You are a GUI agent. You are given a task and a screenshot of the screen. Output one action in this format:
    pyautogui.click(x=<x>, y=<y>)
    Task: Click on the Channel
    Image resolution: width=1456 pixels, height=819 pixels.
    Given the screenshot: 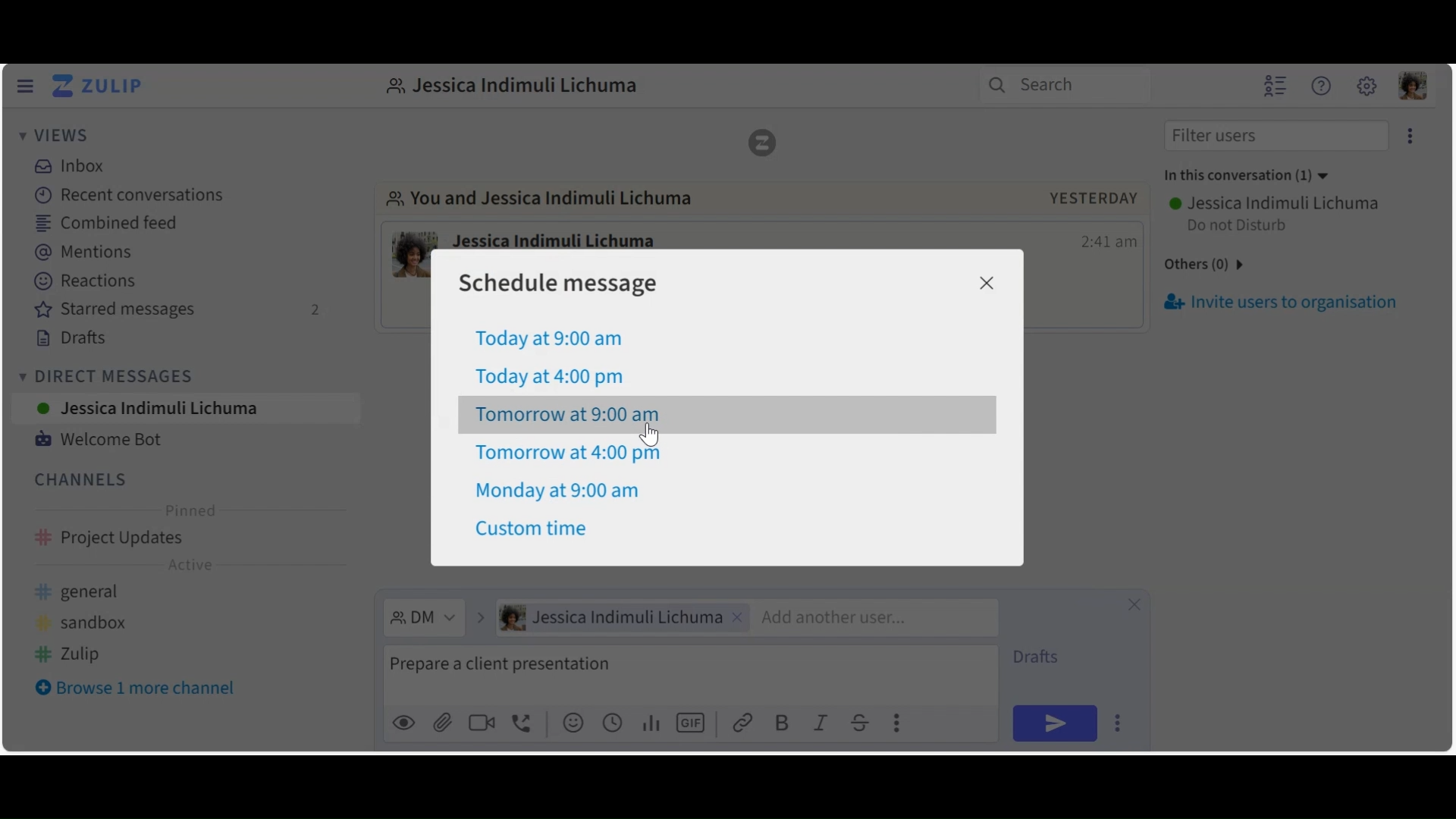 What is the action you would take?
    pyautogui.click(x=83, y=479)
    